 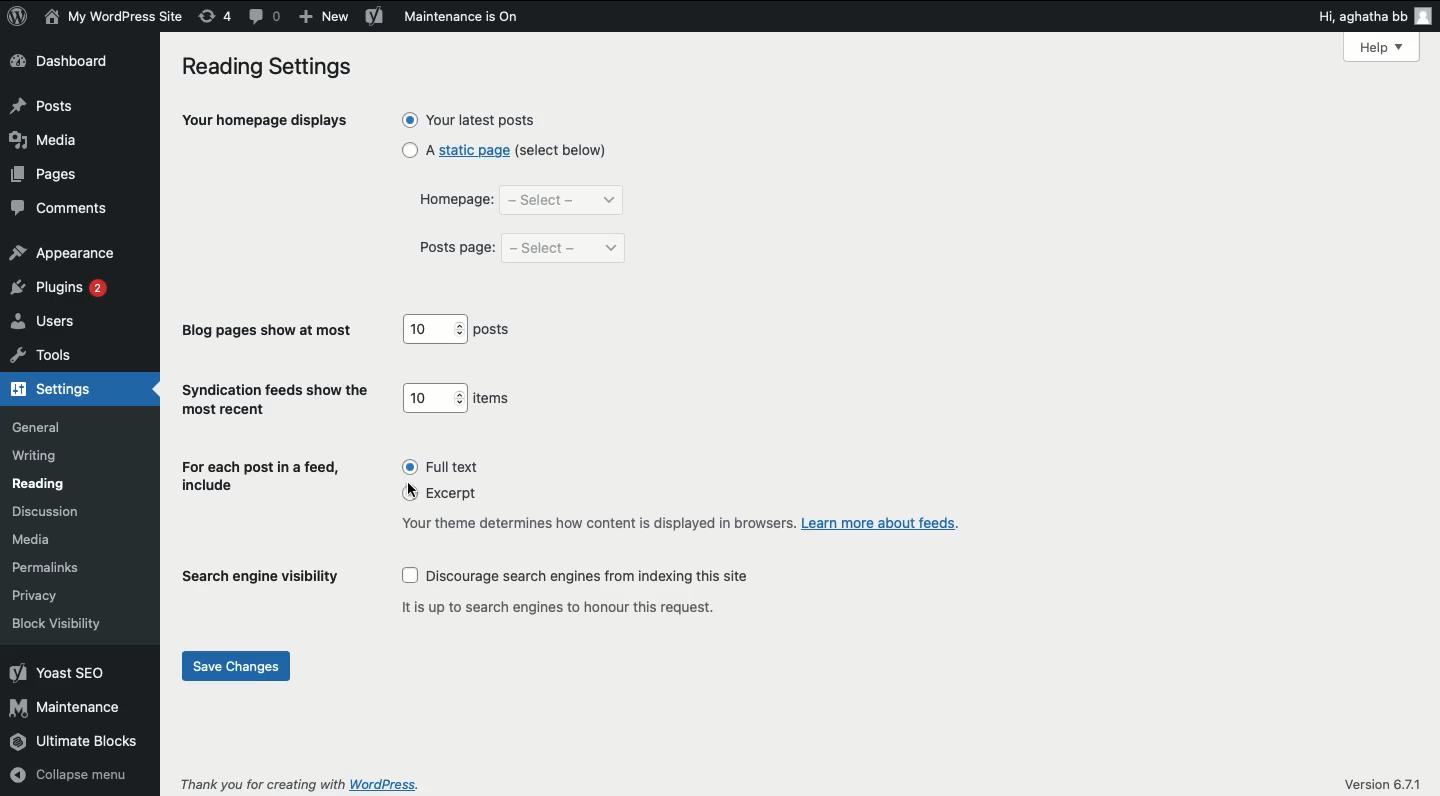 What do you see at coordinates (61, 61) in the screenshot?
I see `dashboard ` at bounding box center [61, 61].